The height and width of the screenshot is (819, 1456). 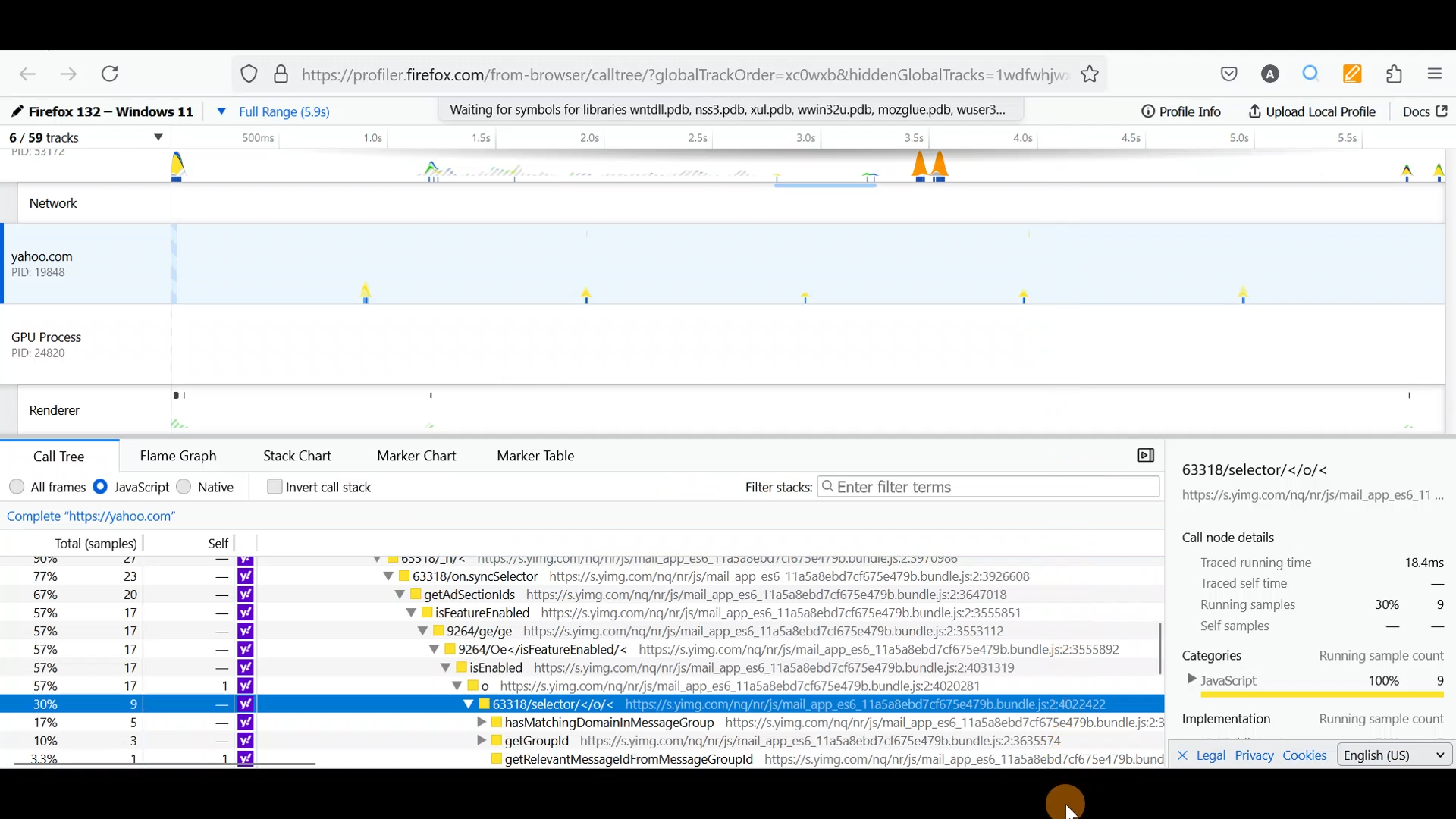 What do you see at coordinates (54, 262) in the screenshot?
I see `yahoo.com
PID: 19848` at bounding box center [54, 262].